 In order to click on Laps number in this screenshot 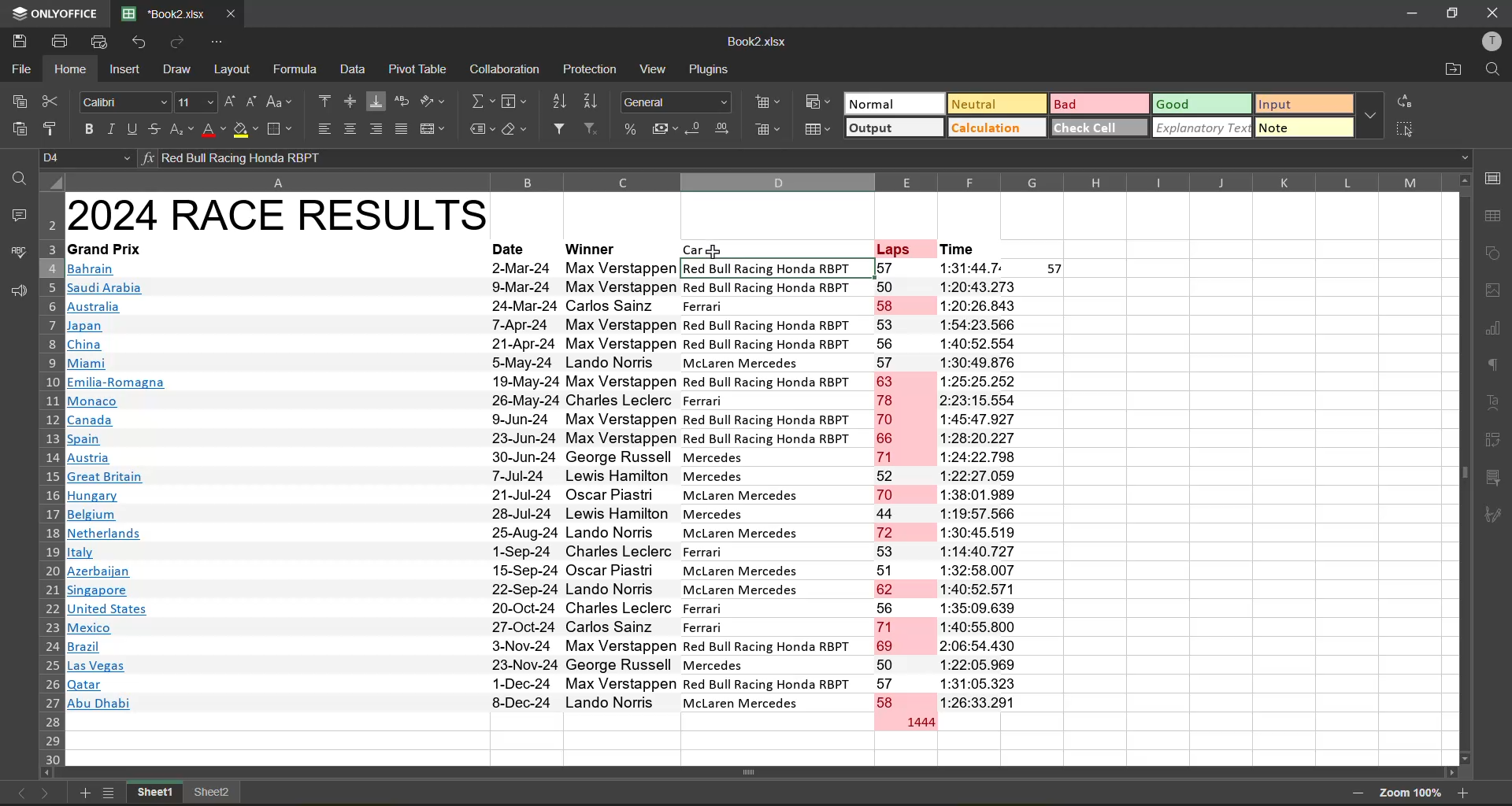, I will do `click(907, 497)`.